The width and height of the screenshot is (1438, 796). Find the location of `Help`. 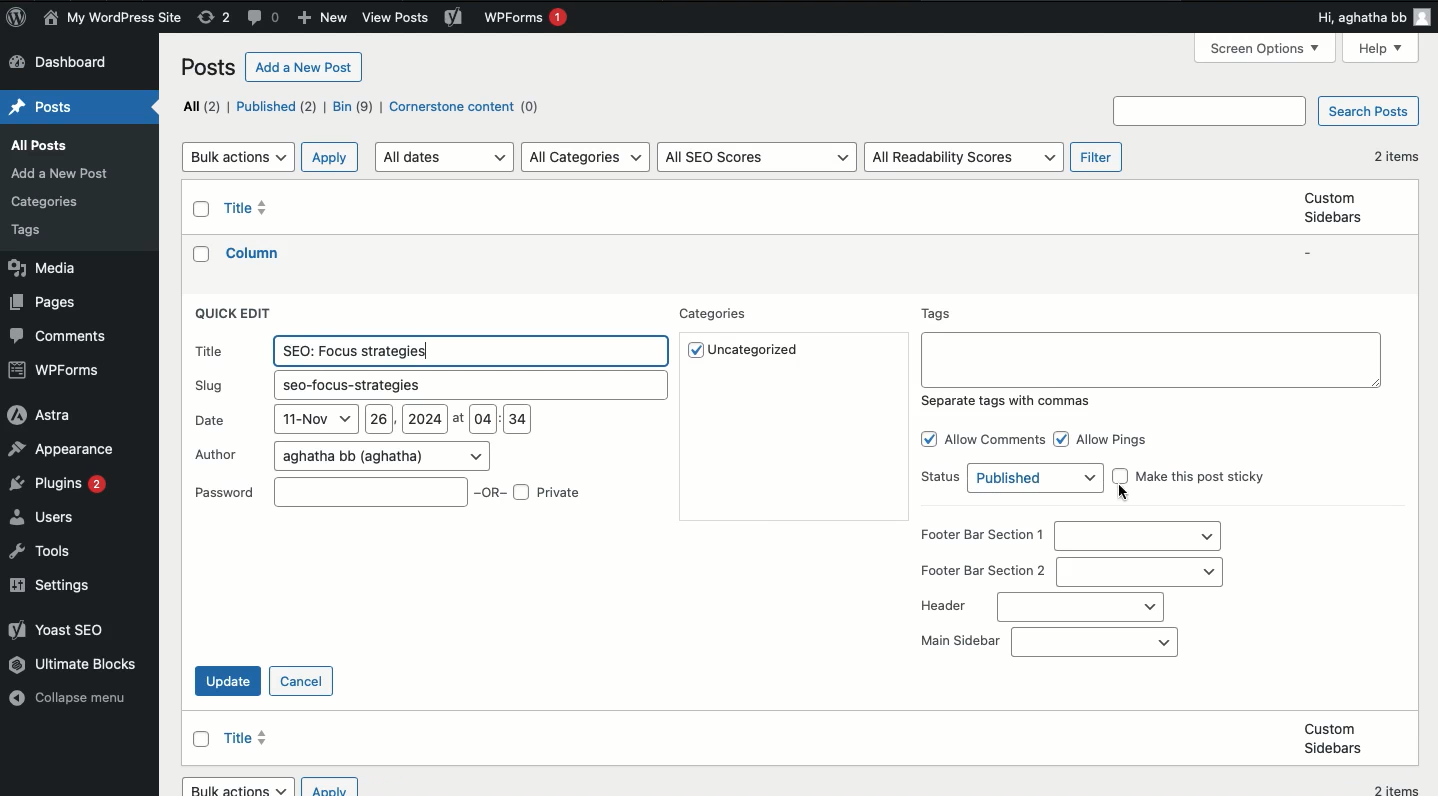

Help is located at coordinates (1382, 50).